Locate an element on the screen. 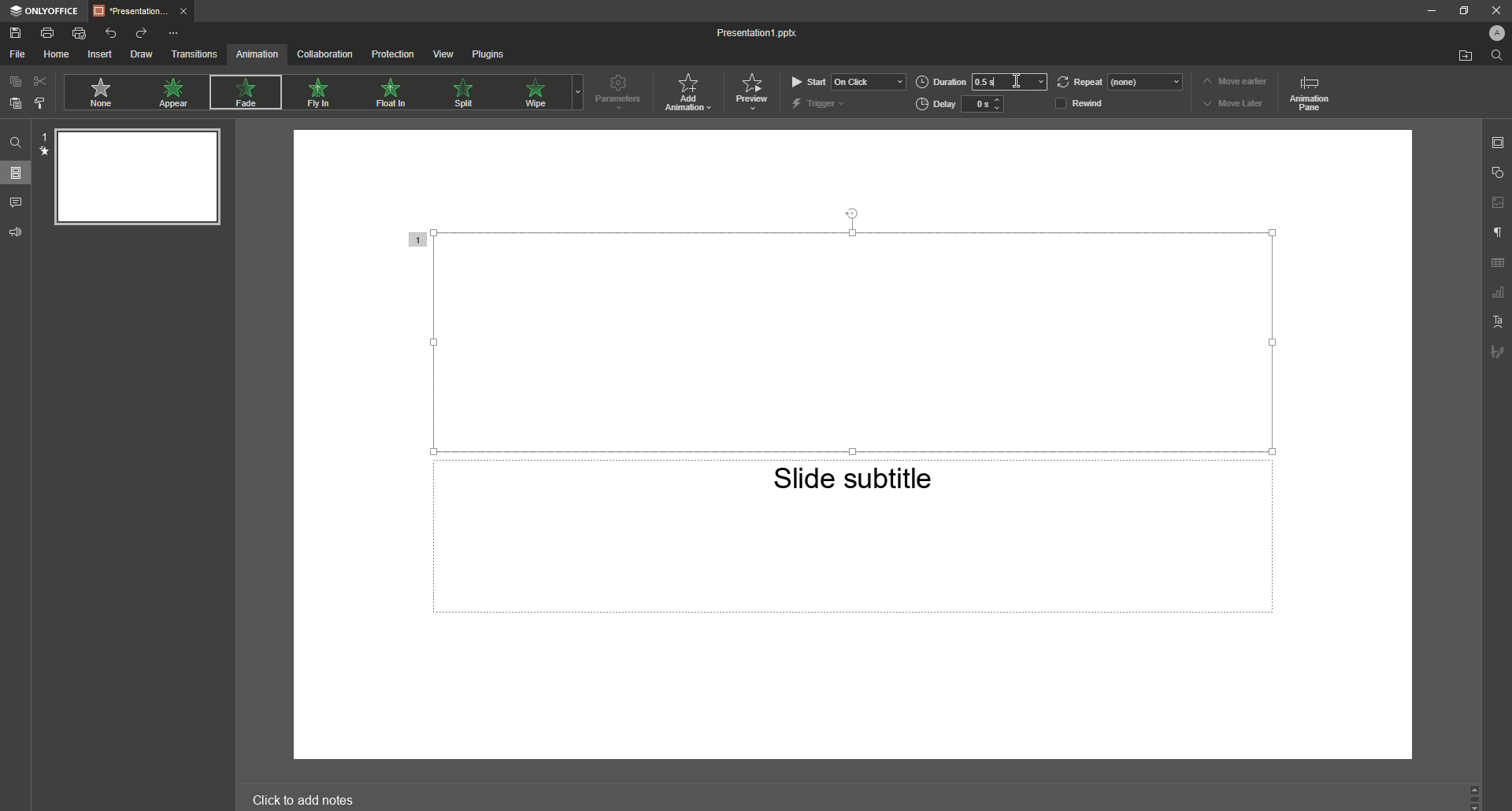  Draw is located at coordinates (143, 54).